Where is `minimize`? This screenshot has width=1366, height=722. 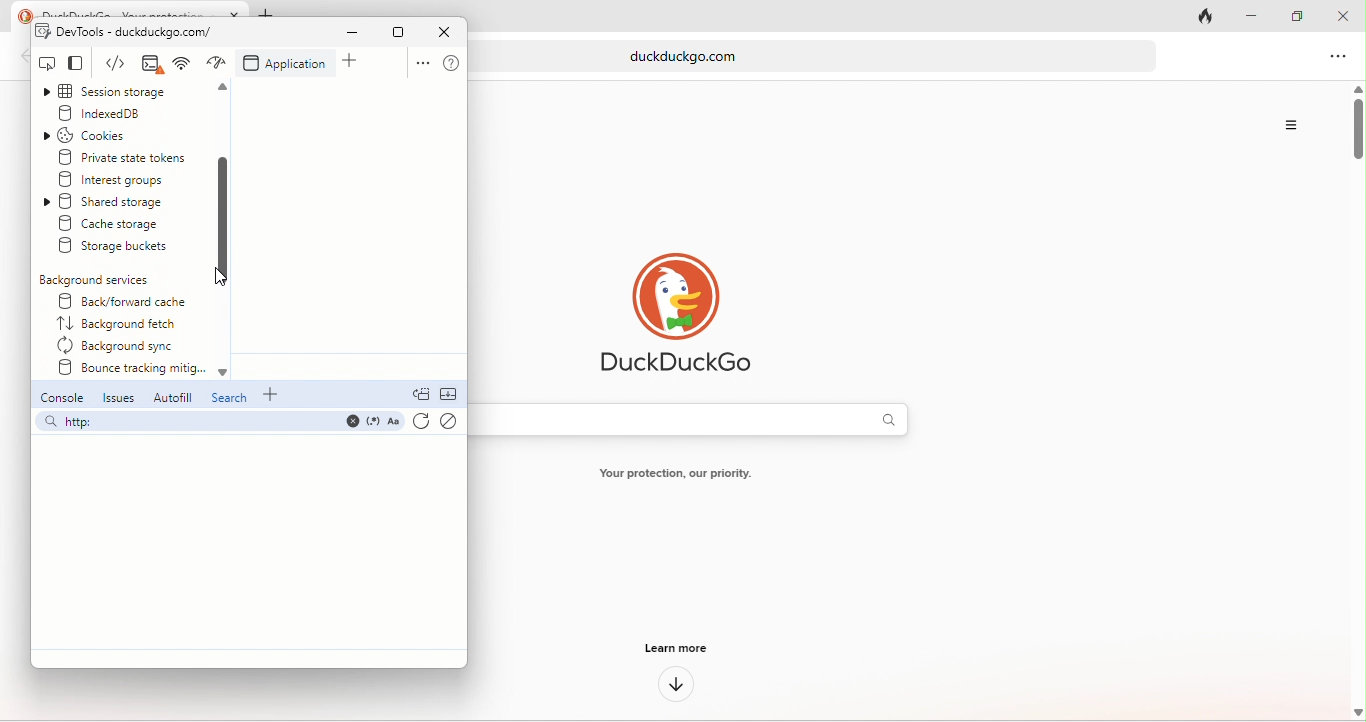 minimize is located at coordinates (1244, 17).